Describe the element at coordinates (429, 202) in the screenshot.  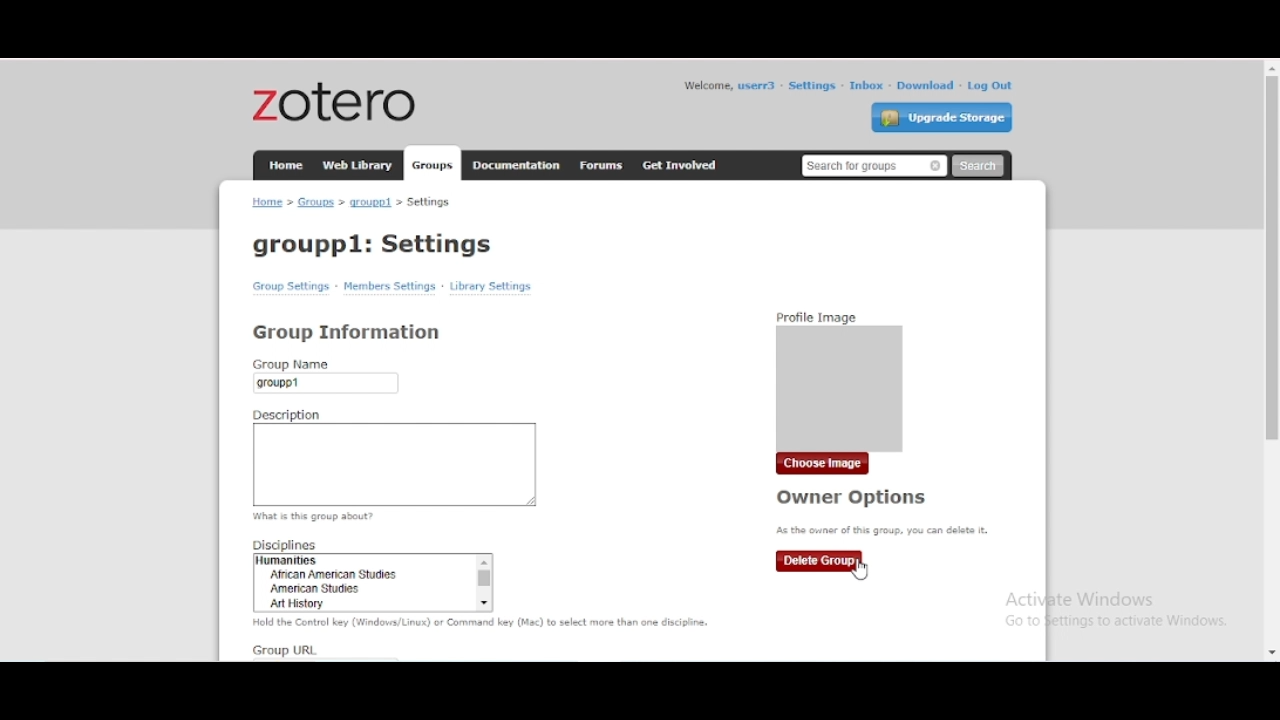
I see `settings` at that location.